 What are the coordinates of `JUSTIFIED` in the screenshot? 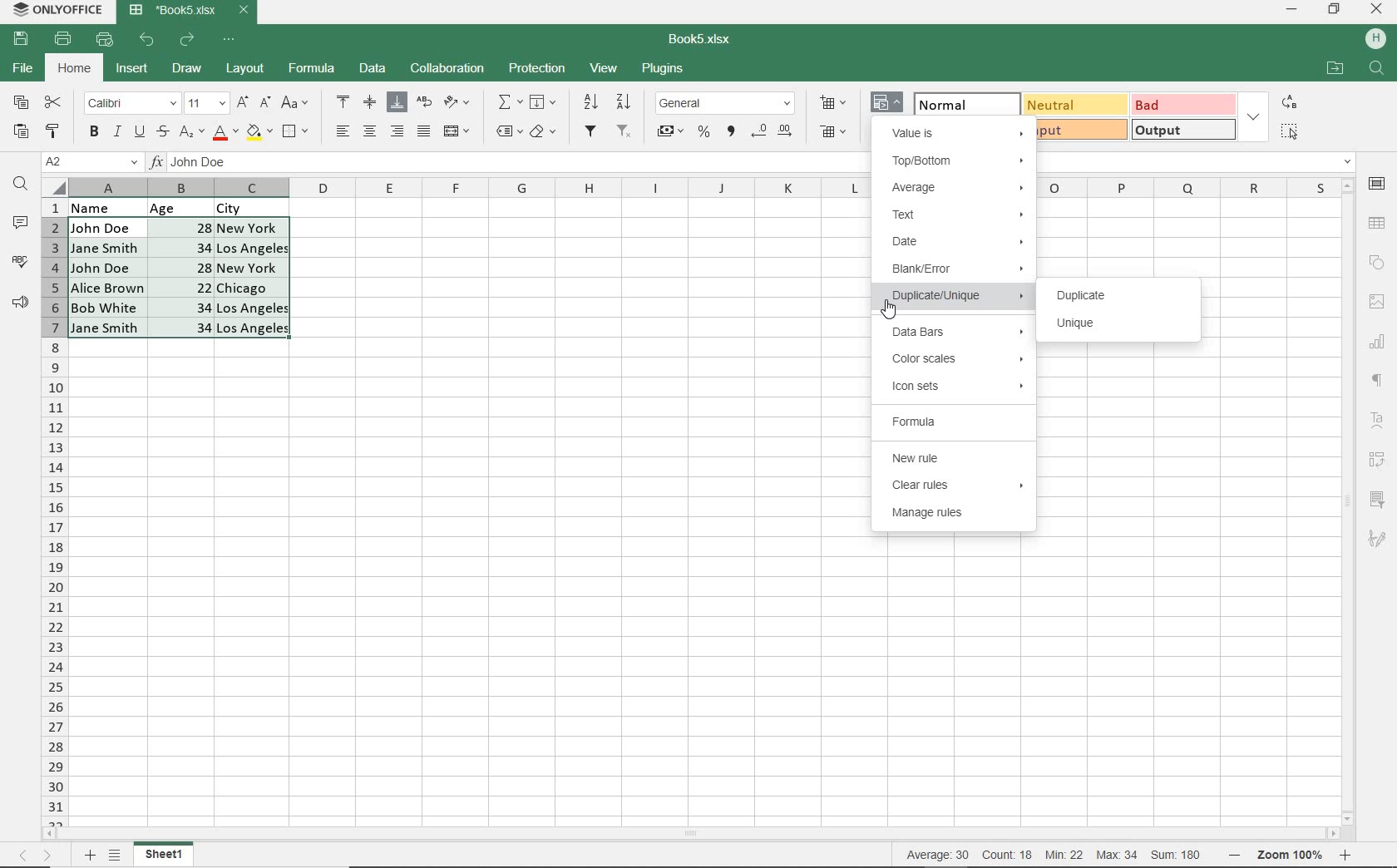 It's located at (423, 131).